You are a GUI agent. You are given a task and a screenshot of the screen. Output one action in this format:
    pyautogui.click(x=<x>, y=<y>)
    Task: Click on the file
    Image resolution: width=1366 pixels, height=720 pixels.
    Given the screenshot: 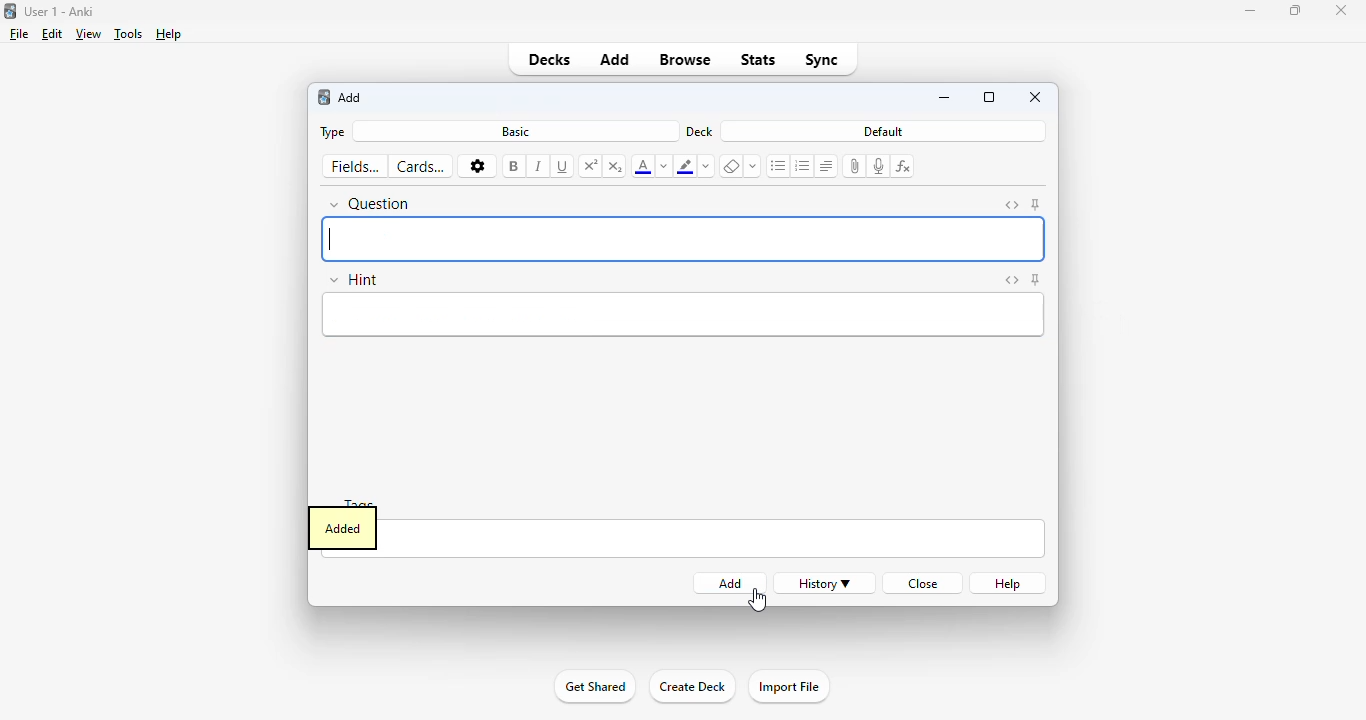 What is the action you would take?
    pyautogui.click(x=20, y=34)
    